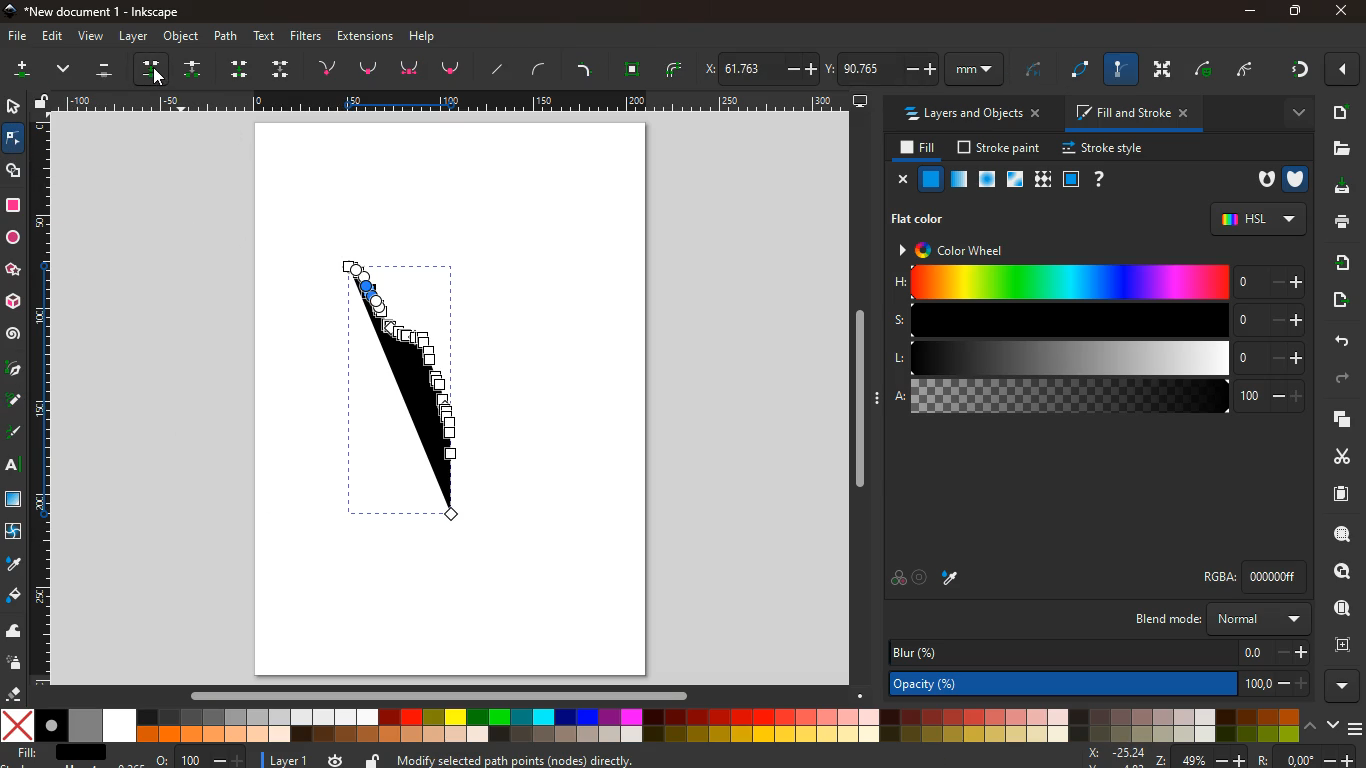 The height and width of the screenshot is (768, 1366). What do you see at coordinates (1338, 420) in the screenshot?
I see `copy` at bounding box center [1338, 420].